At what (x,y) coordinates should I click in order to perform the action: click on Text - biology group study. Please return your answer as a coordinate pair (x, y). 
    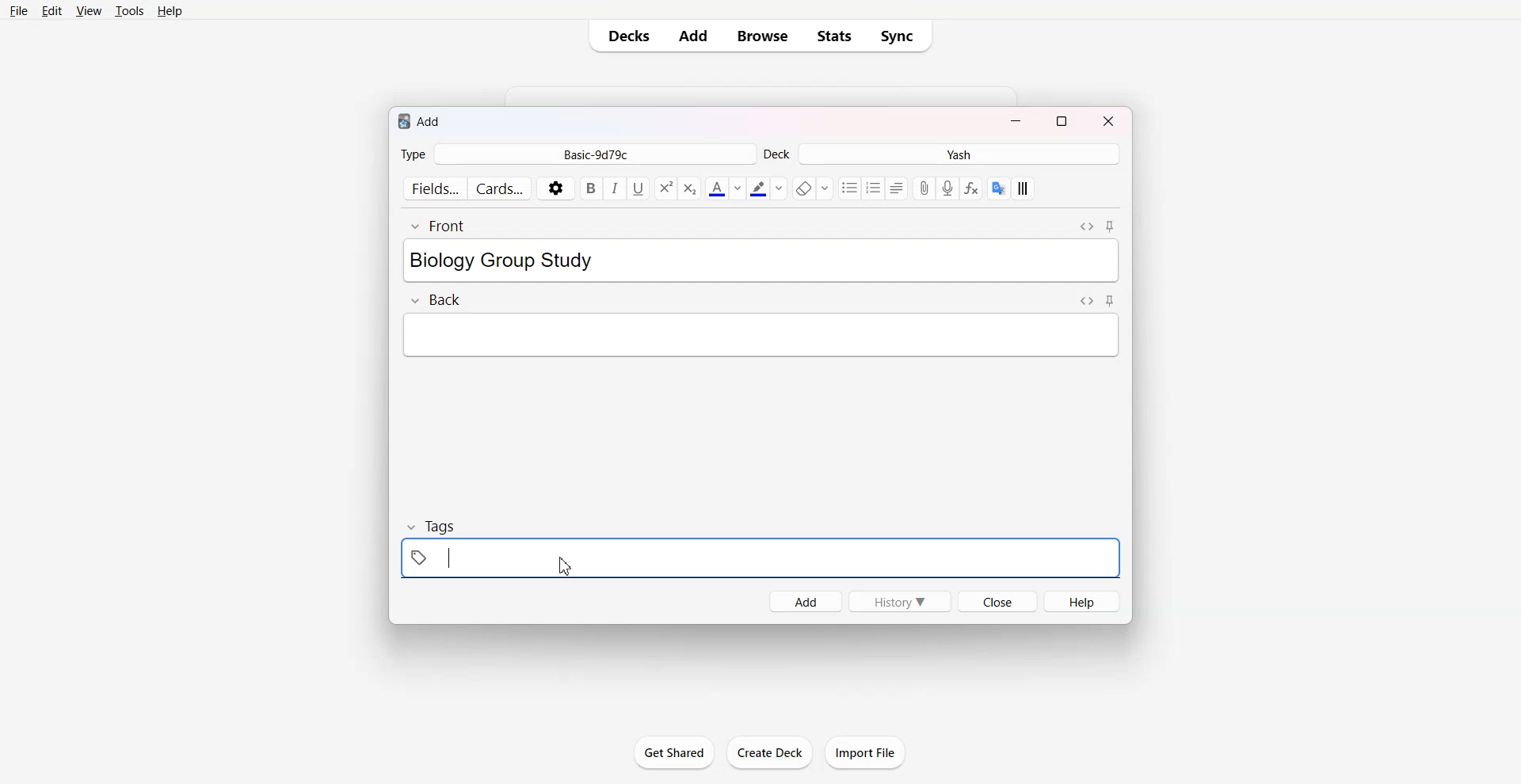
    Looking at the image, I should click on (529, 261).